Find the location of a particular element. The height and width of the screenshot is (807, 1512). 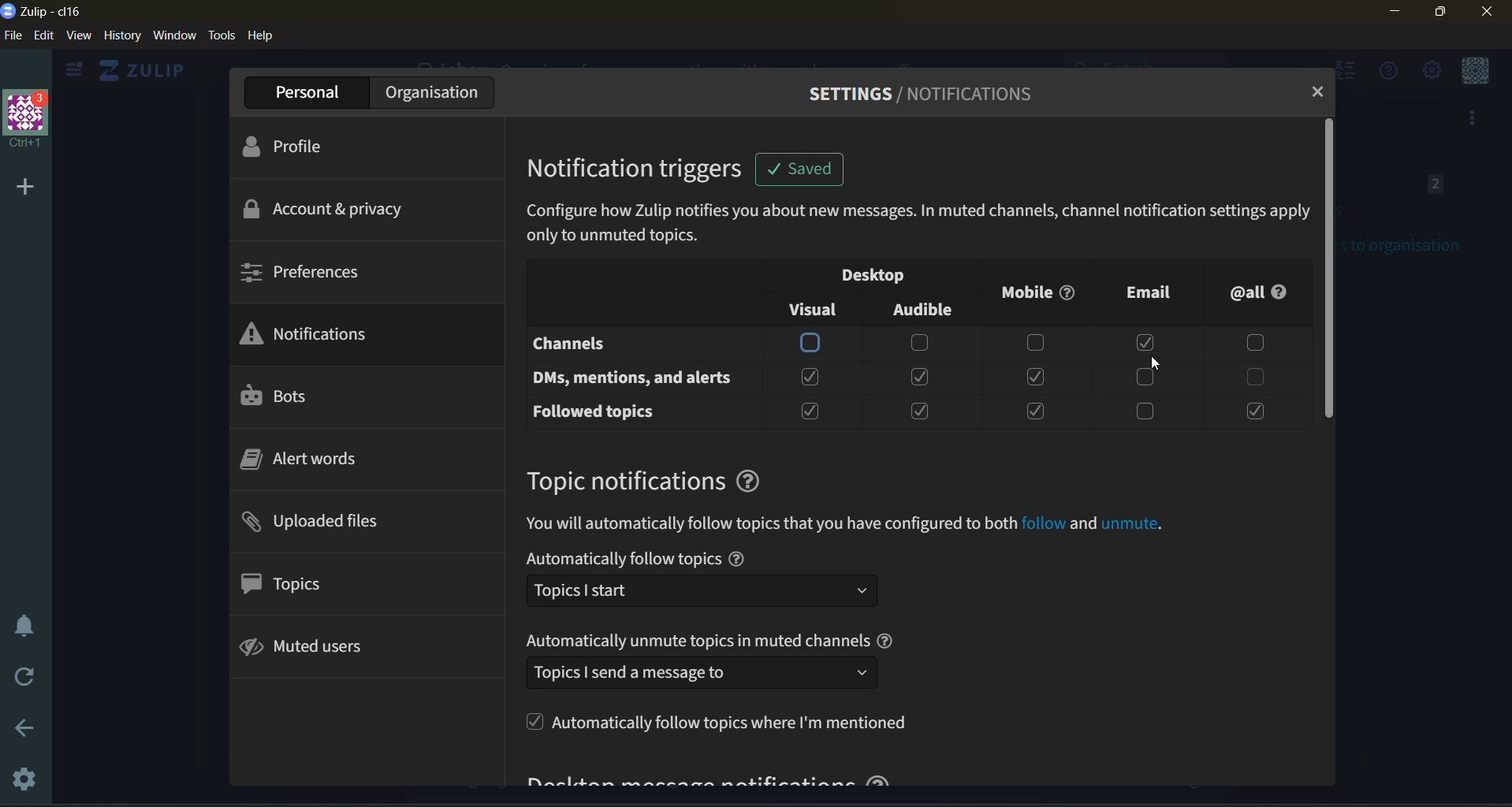

checkbox is located at coordinates (1250, 377).